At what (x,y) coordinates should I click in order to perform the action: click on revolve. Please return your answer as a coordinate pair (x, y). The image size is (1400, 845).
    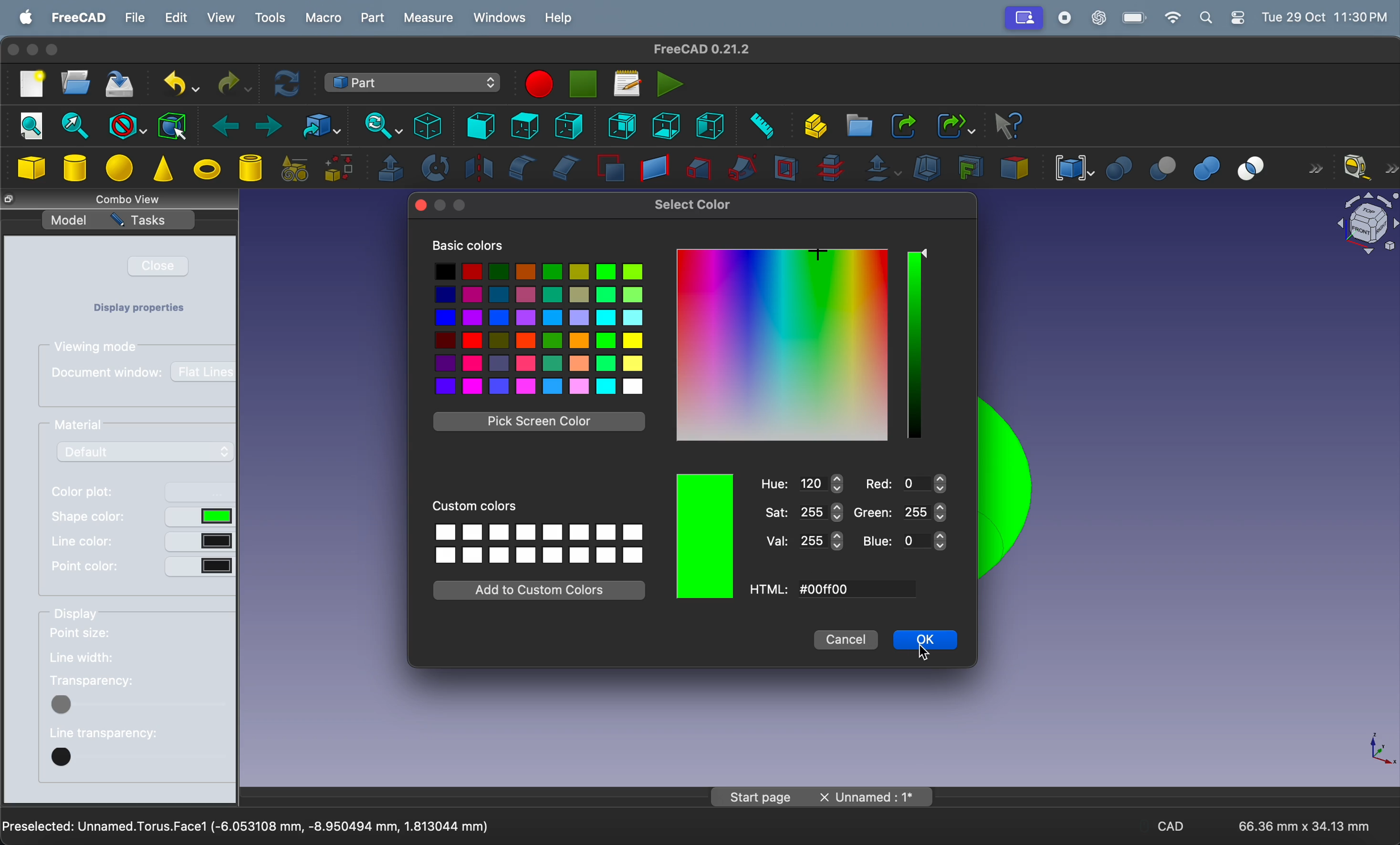
    Looking at the image, I should click on (435, 169).